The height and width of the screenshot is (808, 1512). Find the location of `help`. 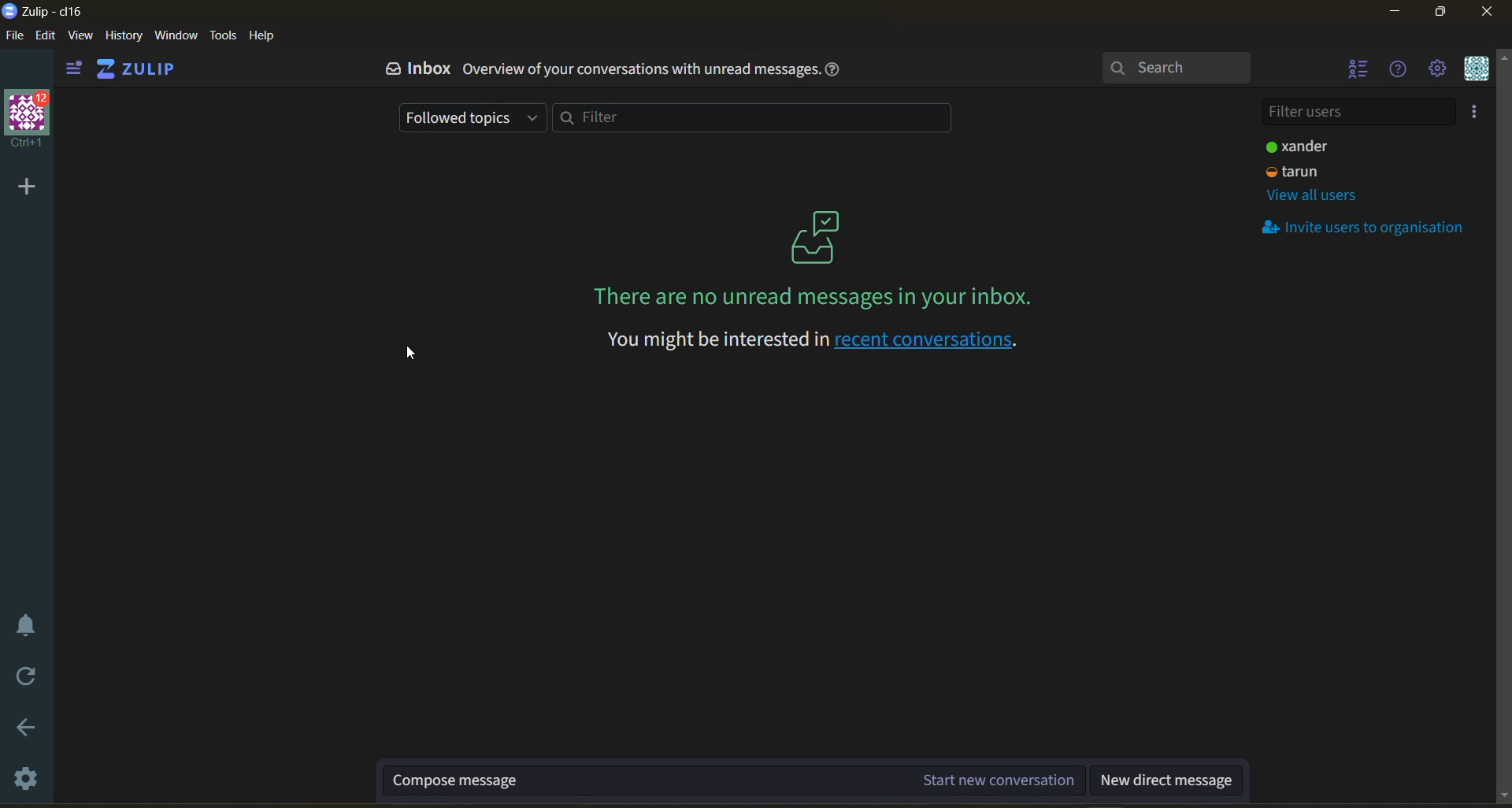

help is located at coordinates (268, 35).